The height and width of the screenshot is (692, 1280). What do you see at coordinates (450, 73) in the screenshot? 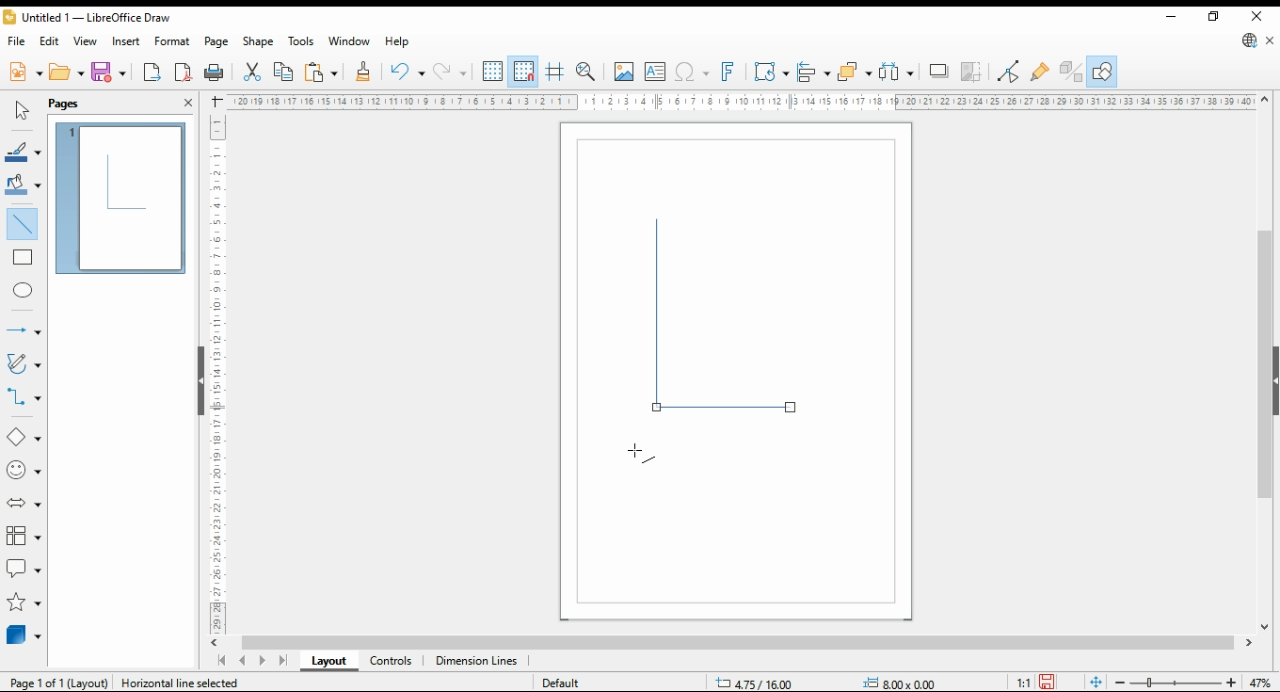
I see `redo` at bounding box center [450, 73].